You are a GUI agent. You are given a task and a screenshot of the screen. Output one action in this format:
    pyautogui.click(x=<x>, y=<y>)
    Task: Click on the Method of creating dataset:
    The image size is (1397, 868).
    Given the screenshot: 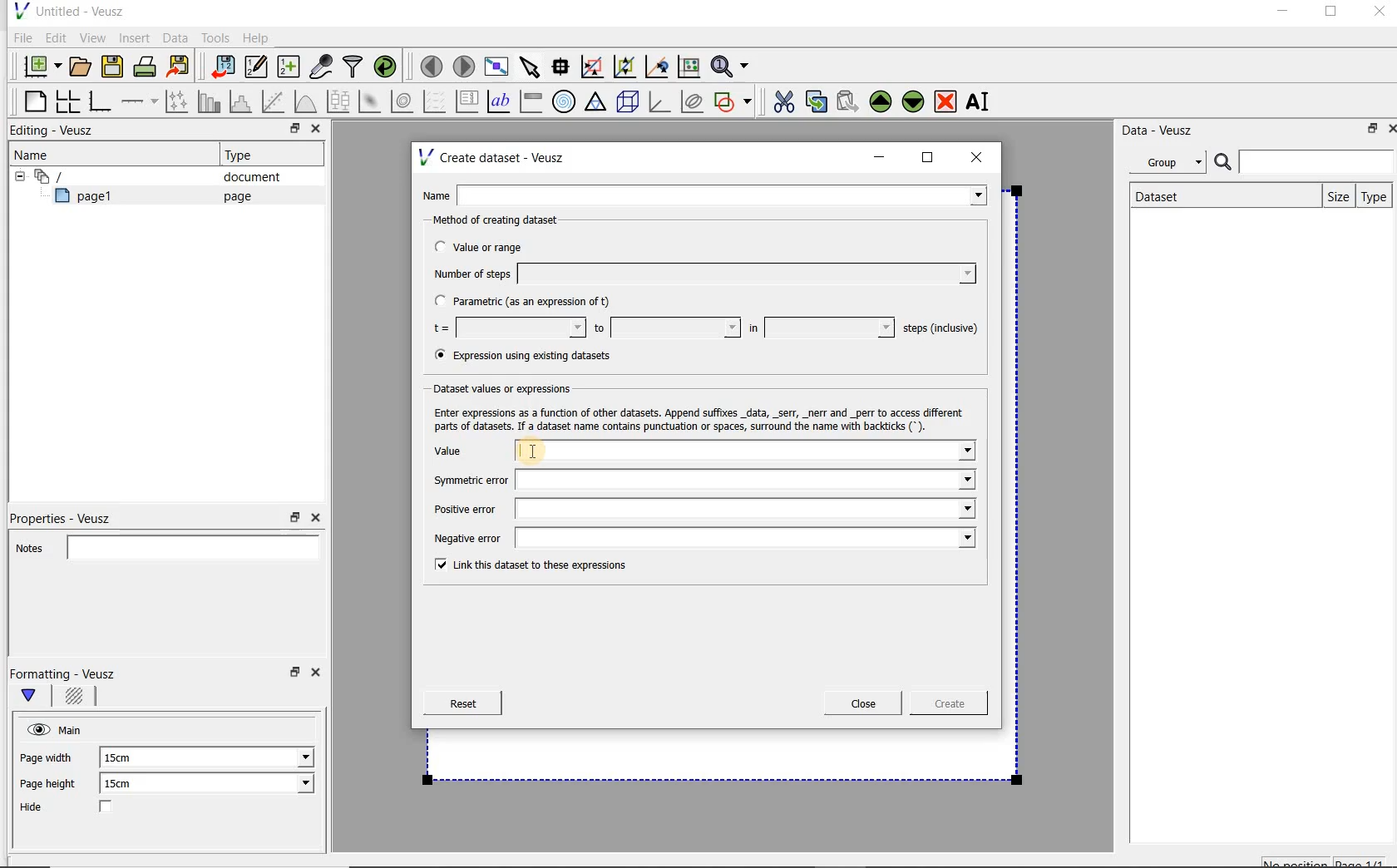 What is the action you would take?
    pyautogui.click(x=508, y=220)
    